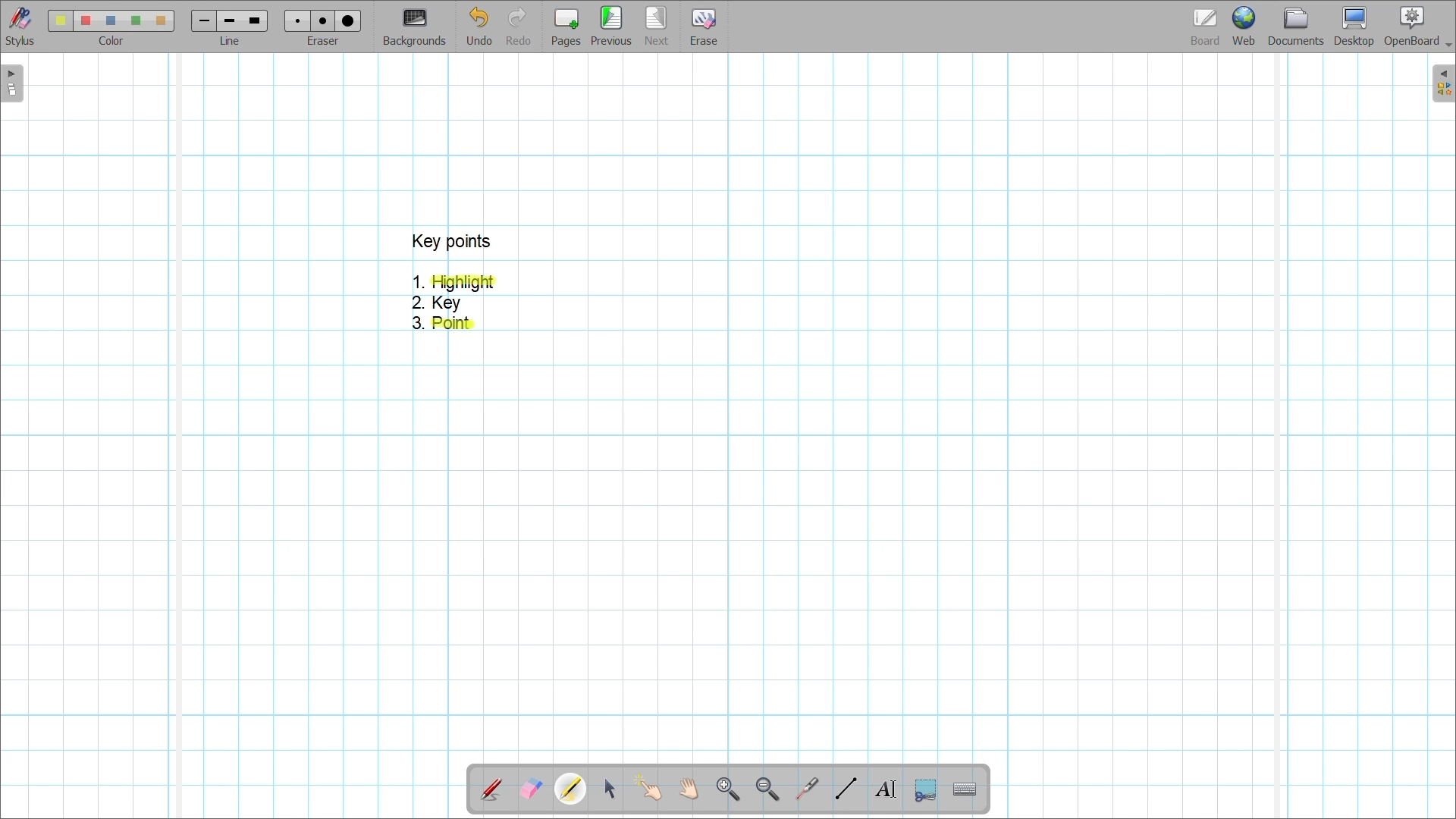 This screenshot has width=1456, height=819. I want to click on Erase annotation, so click(532, 789).